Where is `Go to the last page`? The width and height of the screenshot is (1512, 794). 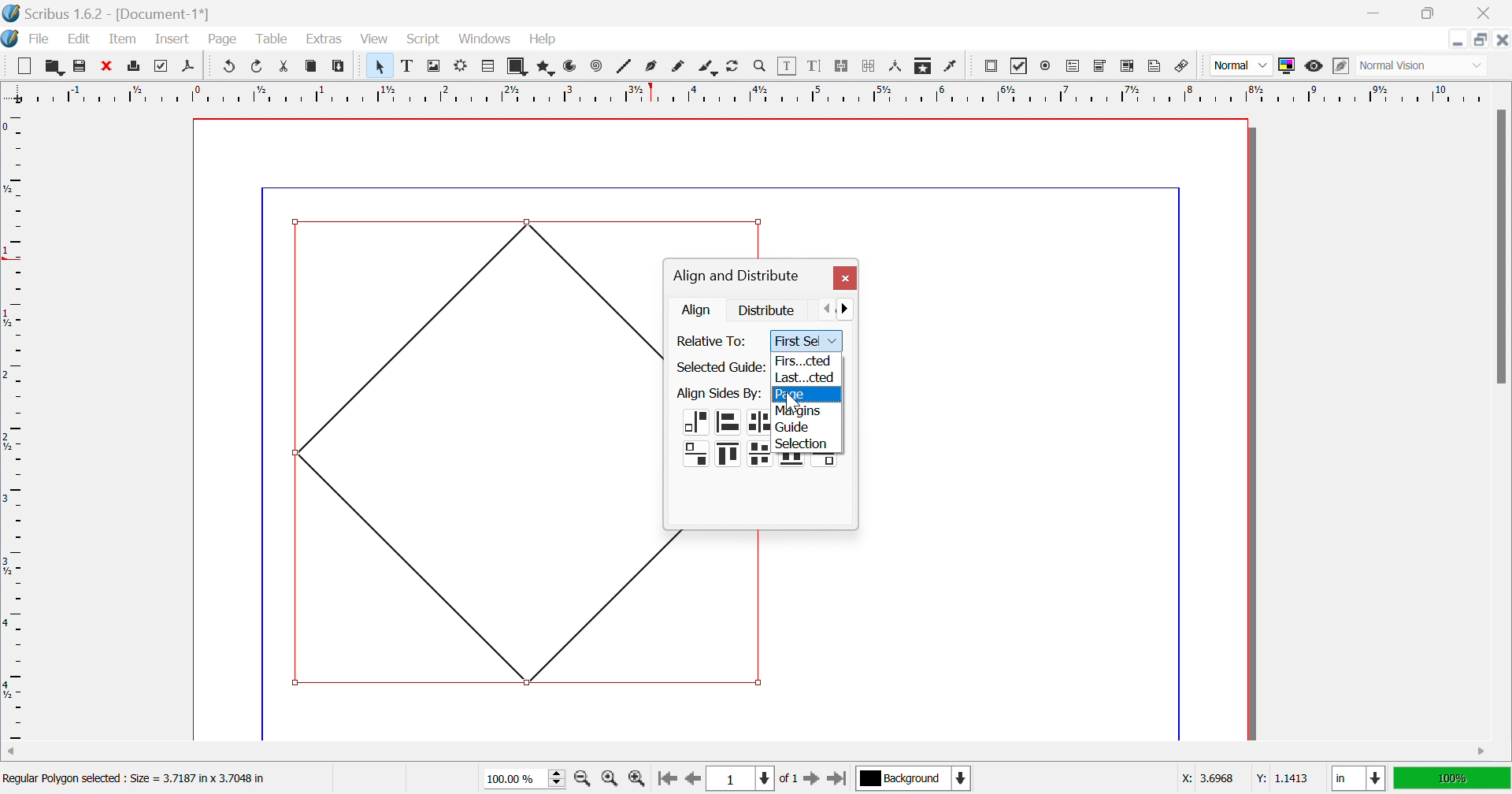
Go to the last page is located at coordinates (836, 781).